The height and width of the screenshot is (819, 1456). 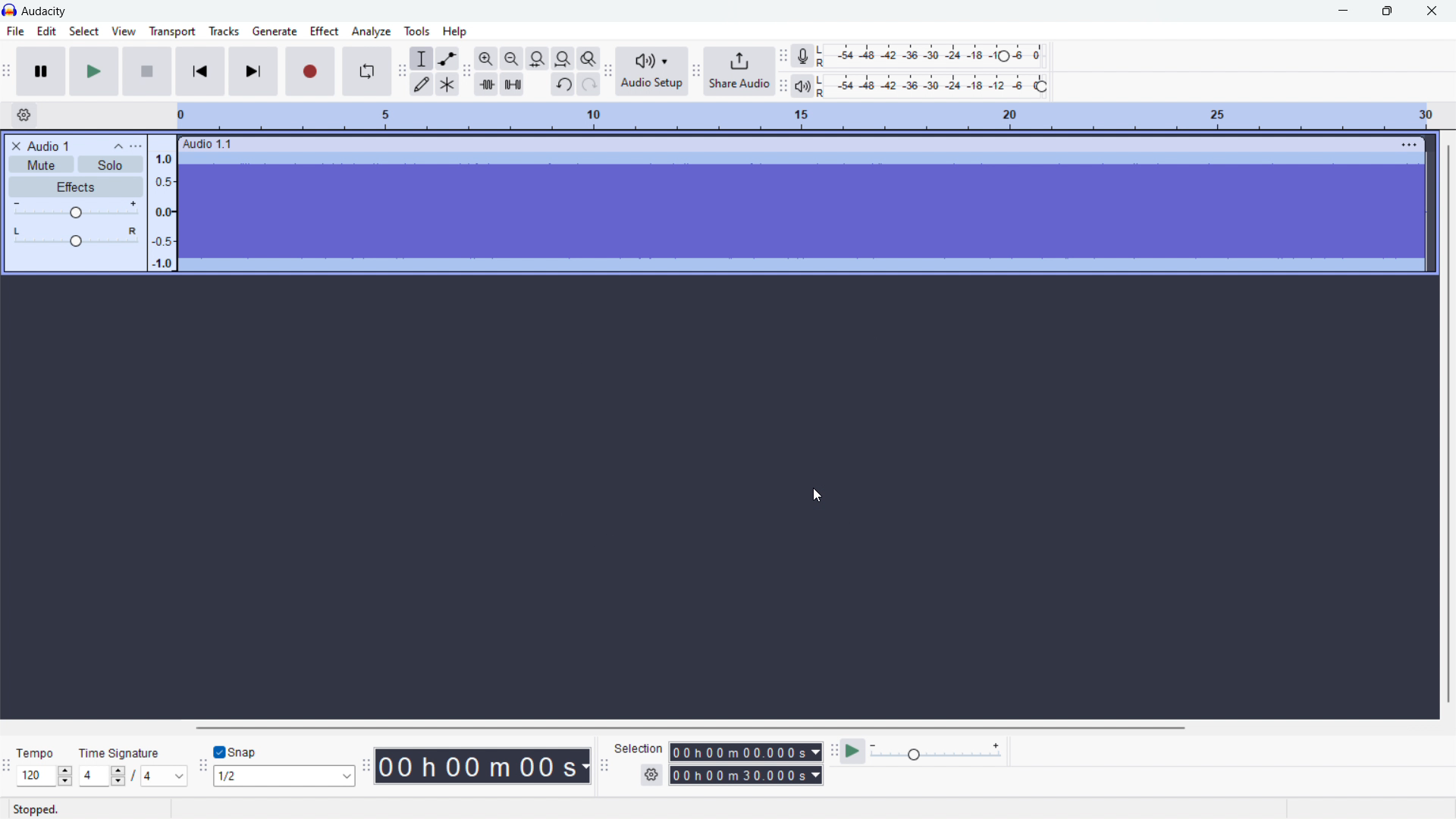 I want to click on stop, so click(x=147, y=71).